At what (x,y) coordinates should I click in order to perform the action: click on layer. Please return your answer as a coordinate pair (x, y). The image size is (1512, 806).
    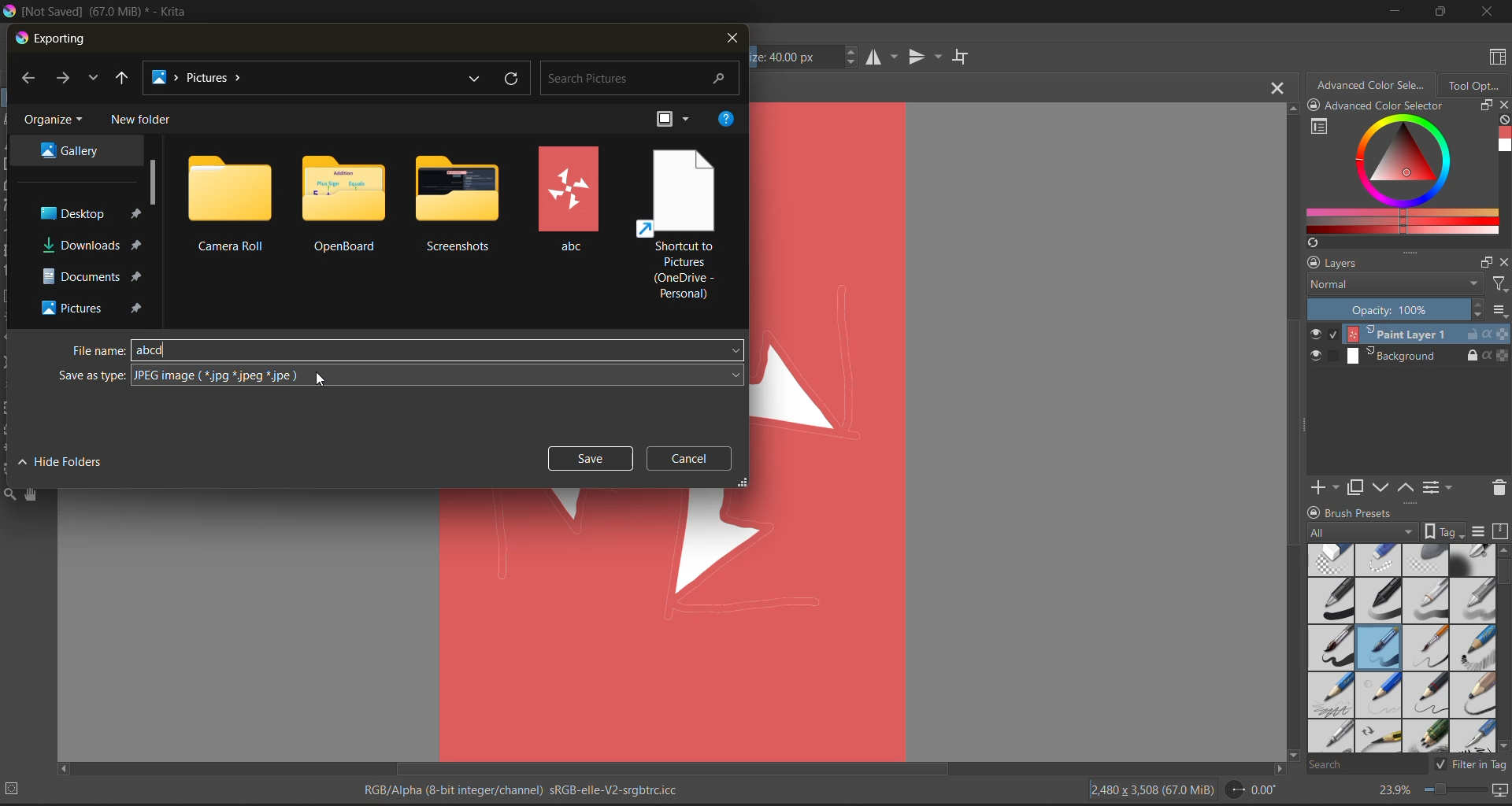
    Looking at the image, I should click on (1409, 335).